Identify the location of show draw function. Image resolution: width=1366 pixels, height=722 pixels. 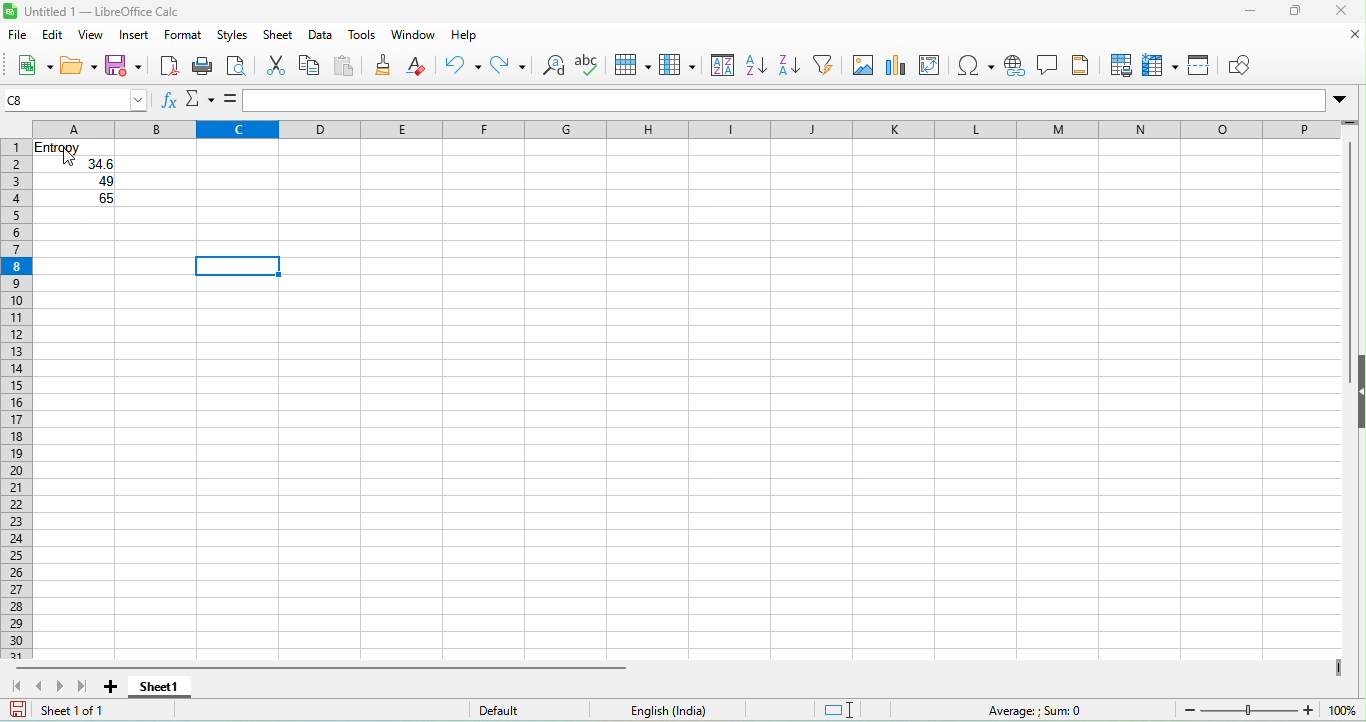
(1246, 65).